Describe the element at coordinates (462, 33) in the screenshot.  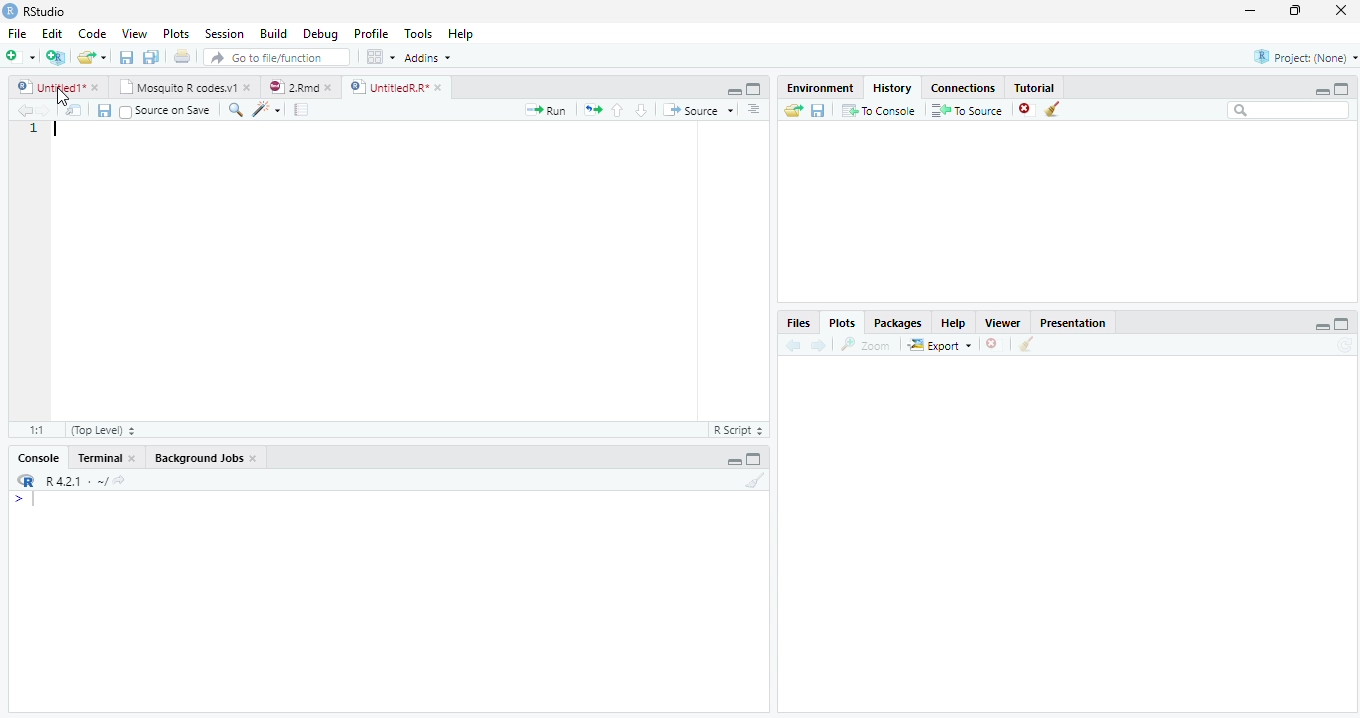
I see `Help` at that location.